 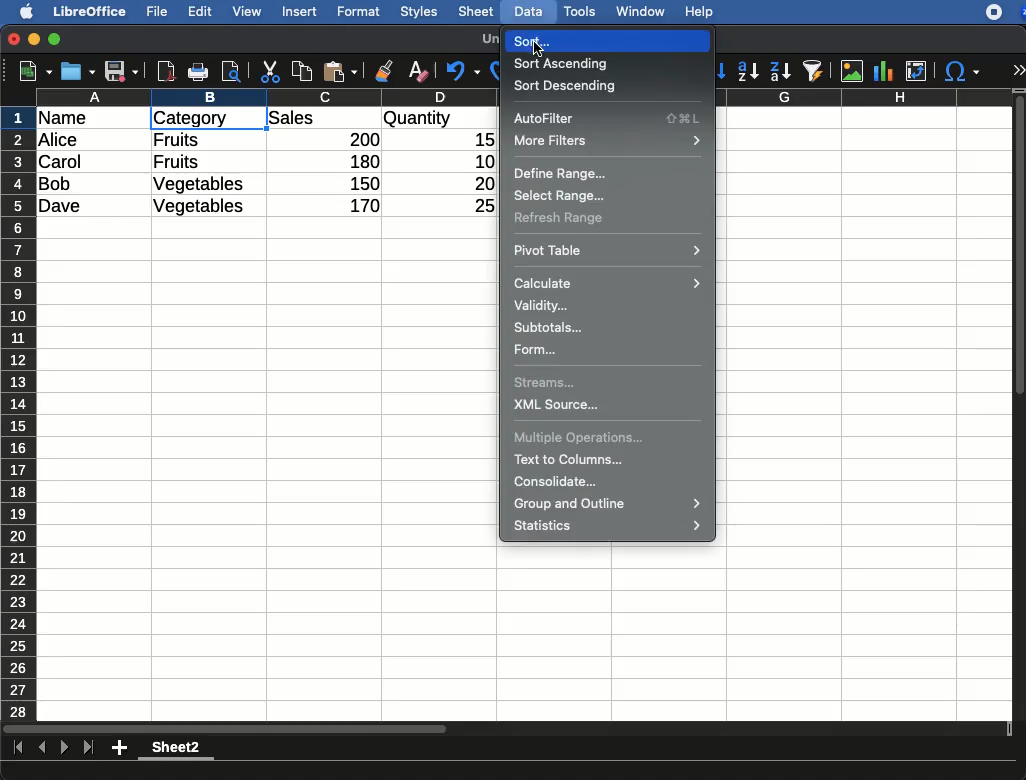 I want to click on 15, so click(x=479, y=140).